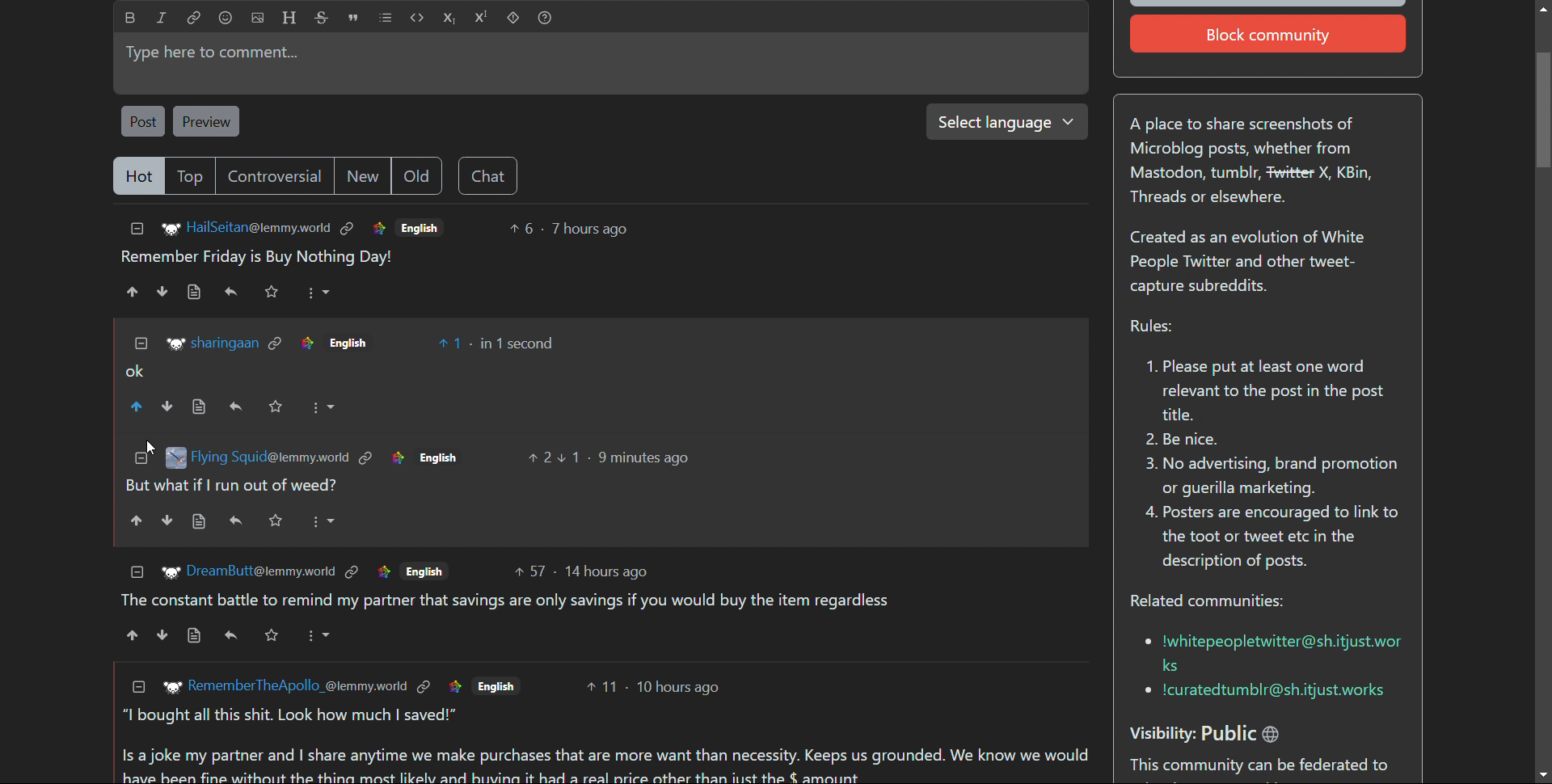 This screenshot has height=784, width=1552. I want to click on hot, so click(138, 177).